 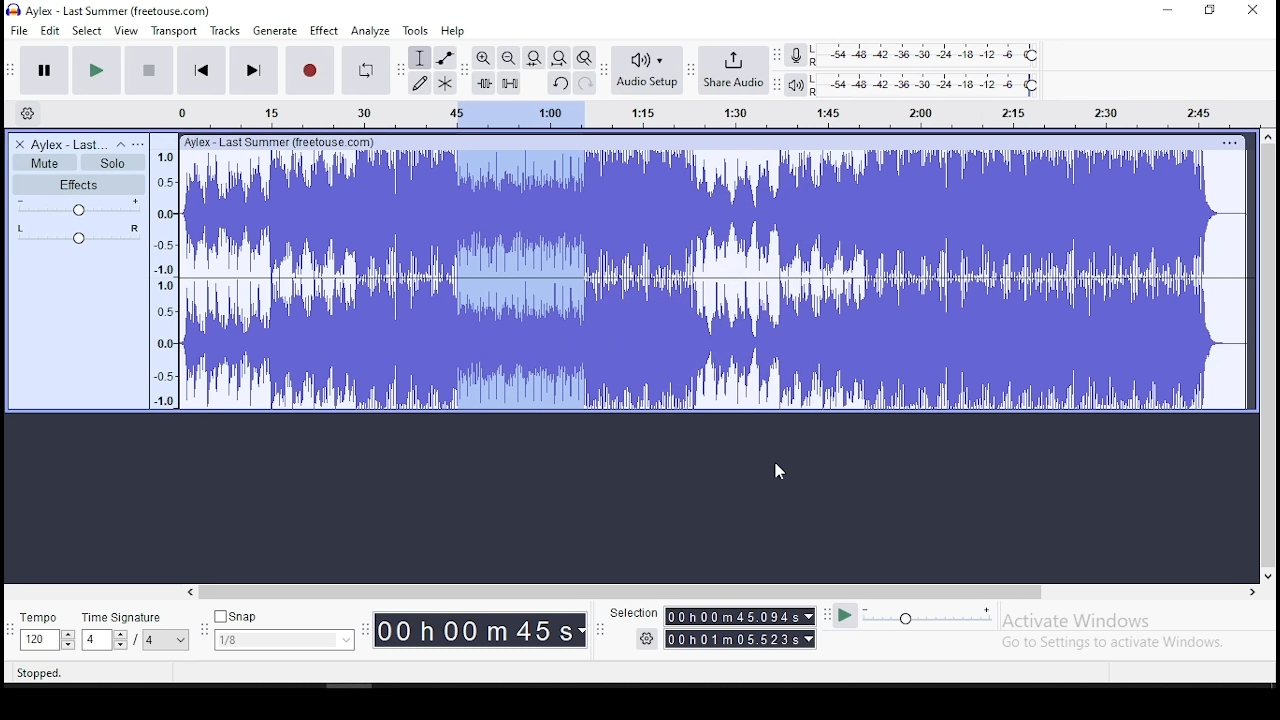 What do you see at coordinates (722, 593) in the screenshot?
I see `scroll bar` at bounding box center [722, 593].